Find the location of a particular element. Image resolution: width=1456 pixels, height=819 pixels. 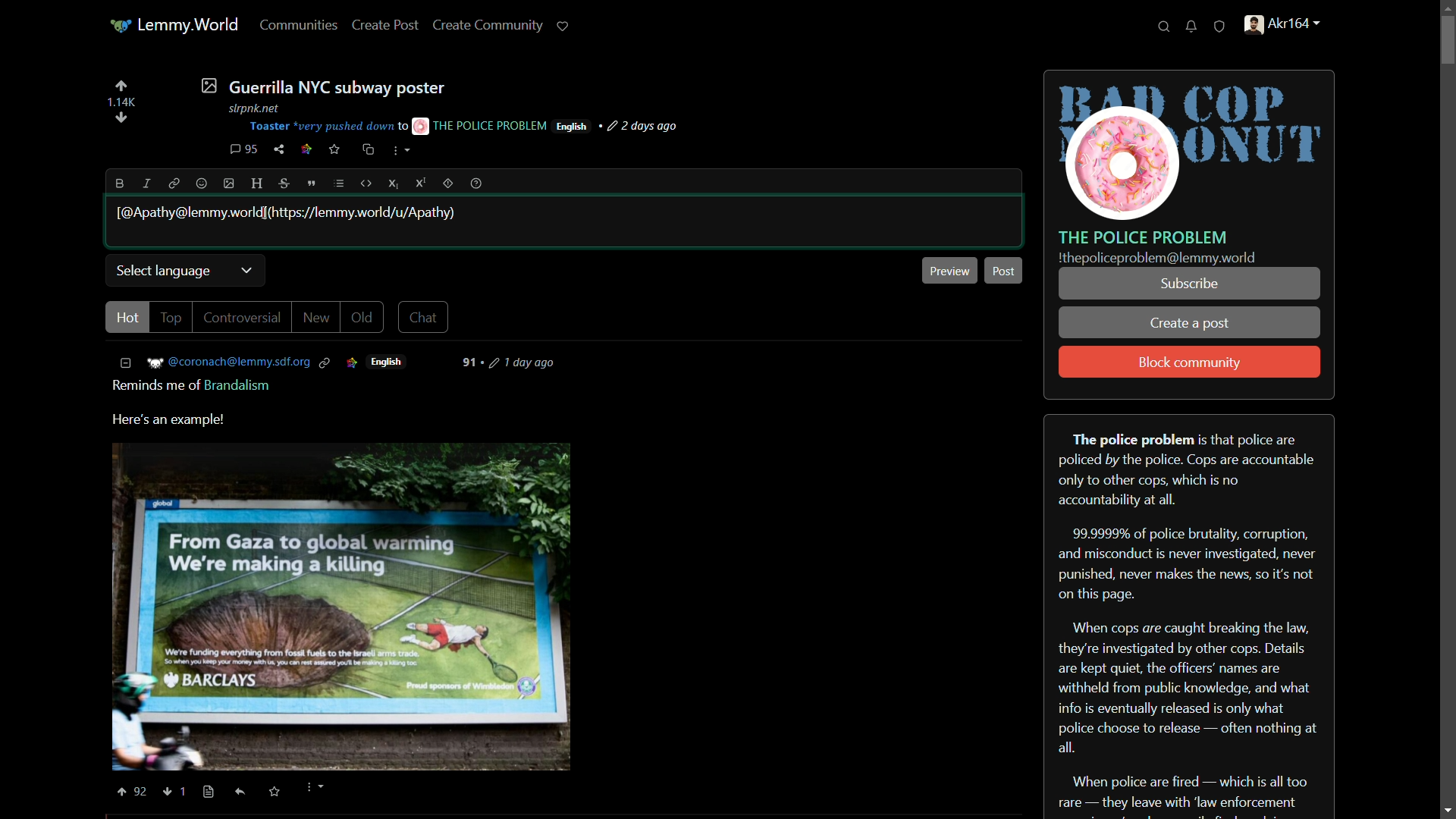

handle is located at coordinates (1291, 27).